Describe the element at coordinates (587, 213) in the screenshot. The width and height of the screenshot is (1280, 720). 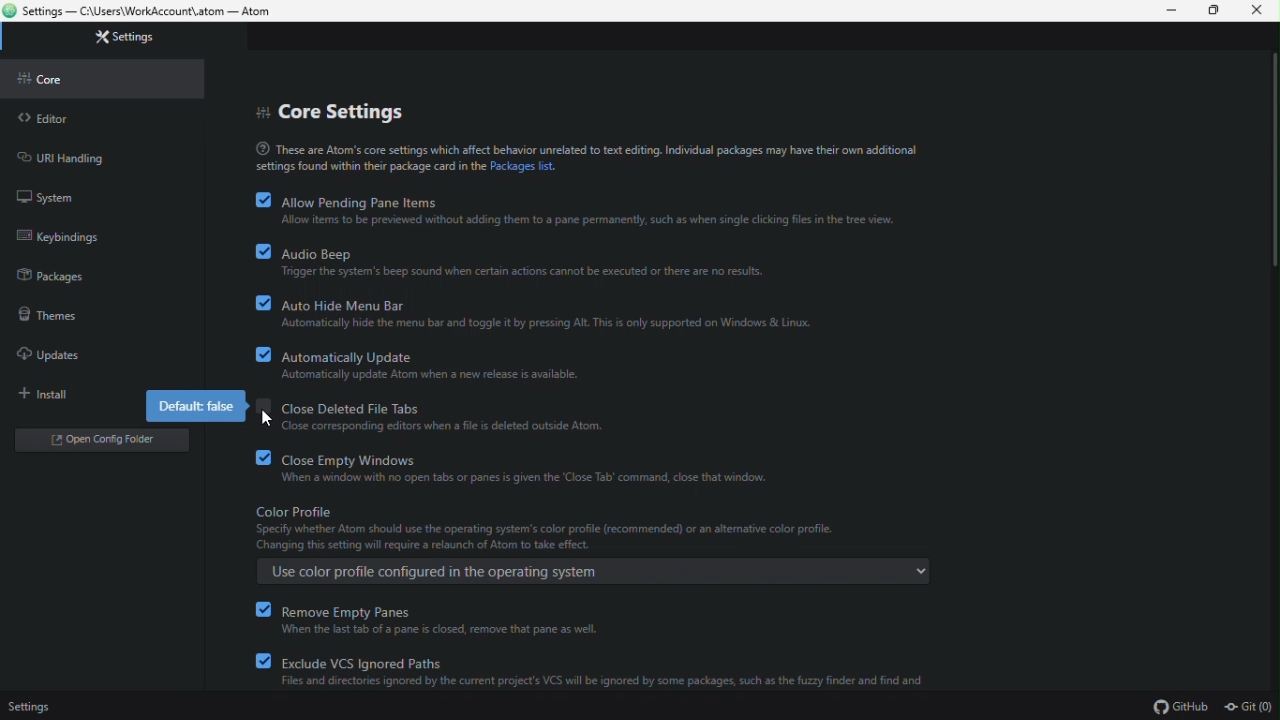
I see `allow pending pane items` at that location.